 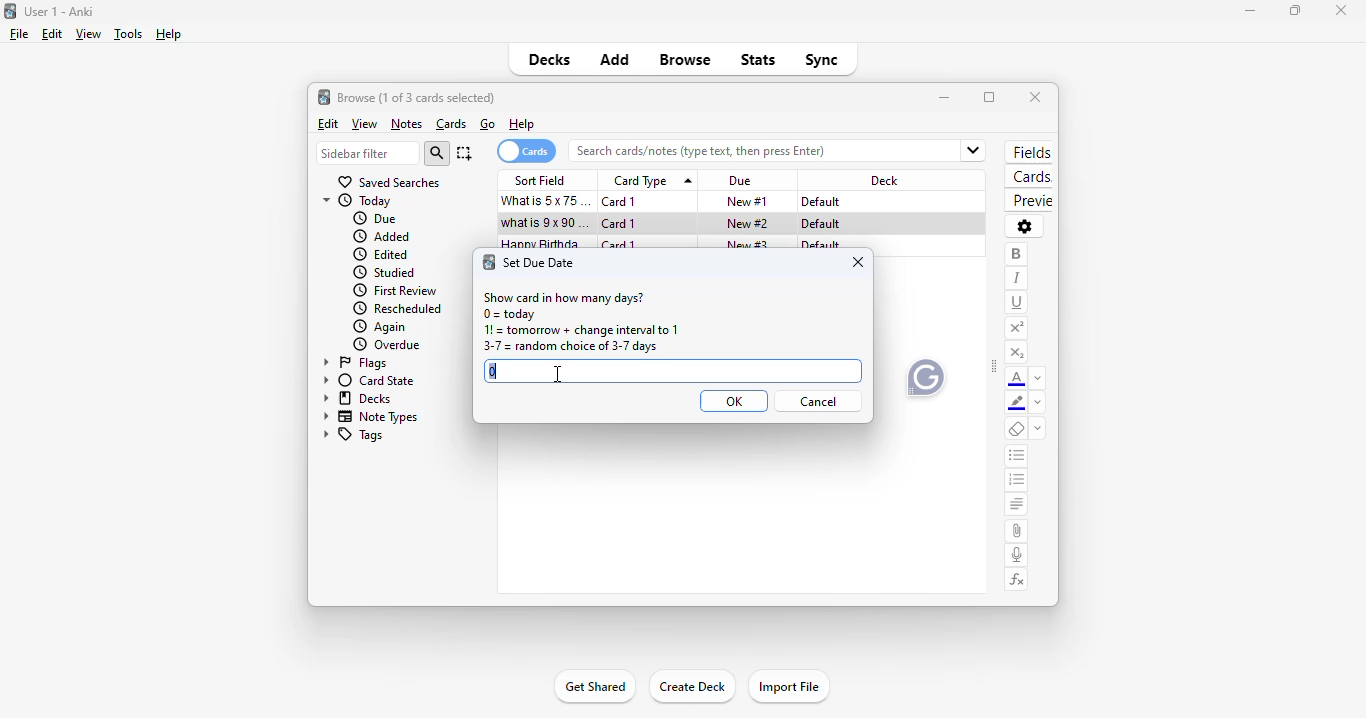 What do you see at coordinates (369, 153) in the screenshot?
I see `sidebar filter` at bounding box center [369, 153].